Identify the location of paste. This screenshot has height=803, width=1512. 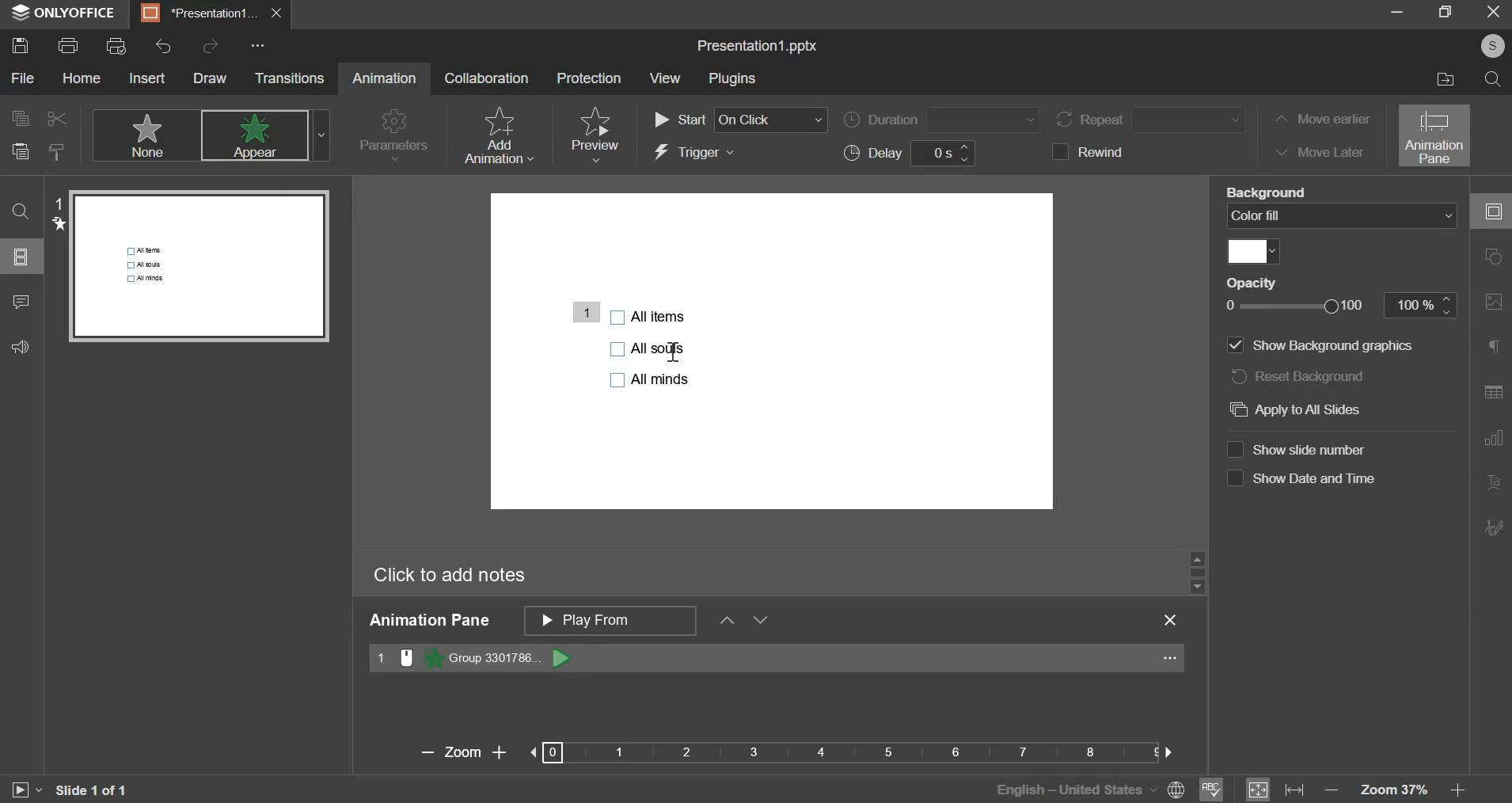
(20, 153).